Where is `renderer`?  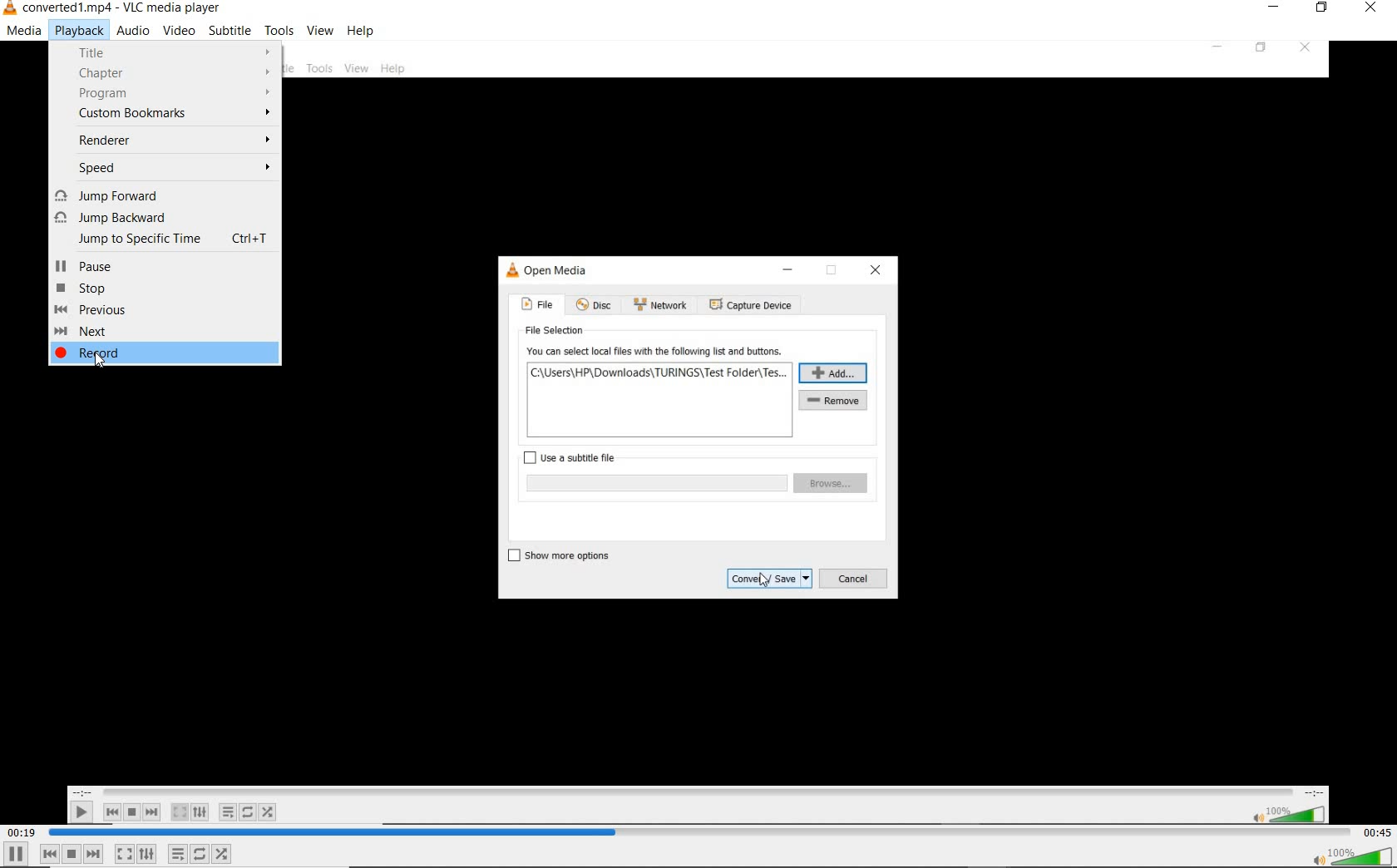
renderer is located at coordinates (173, 141).